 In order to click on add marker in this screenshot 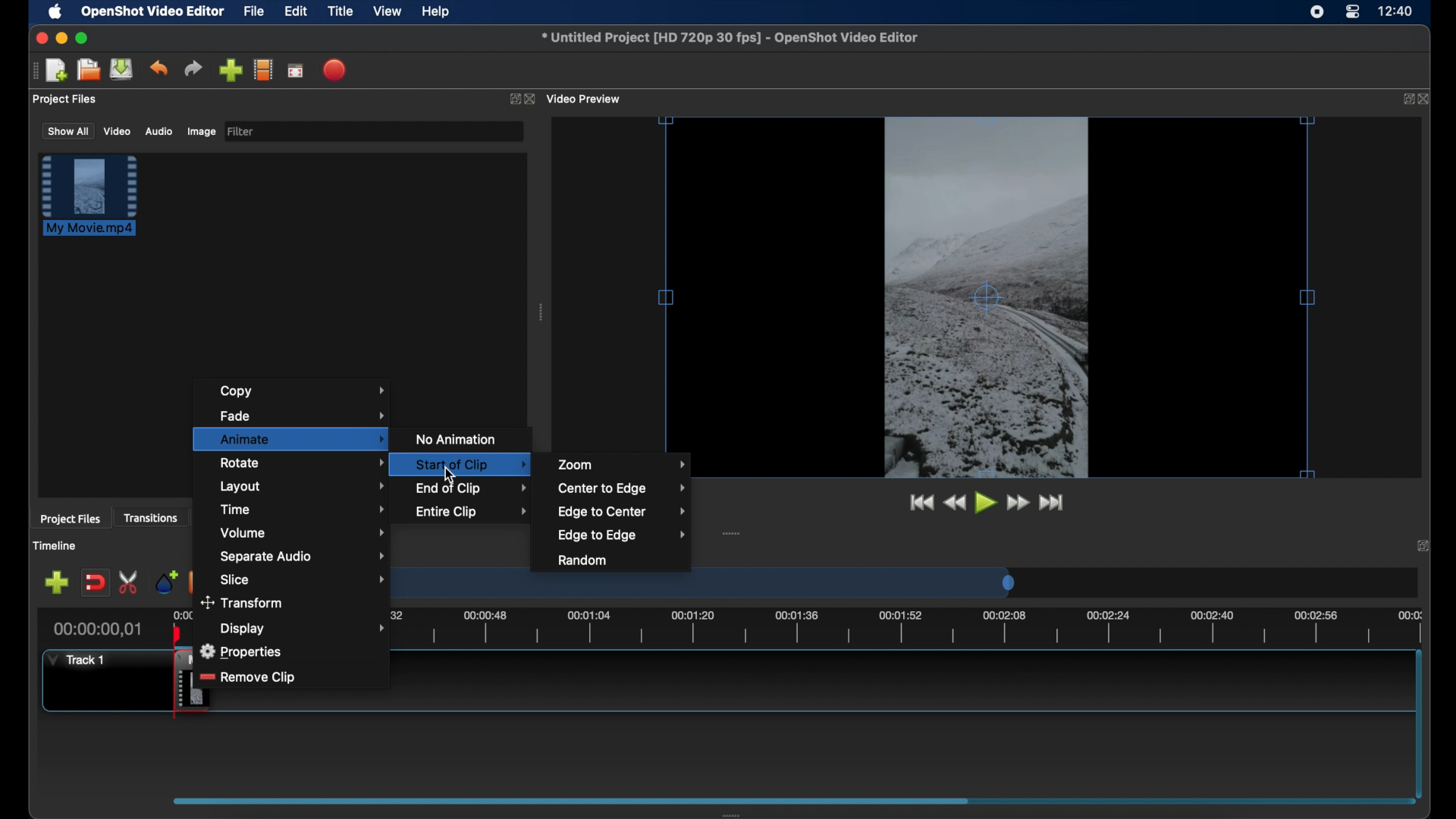, I will do `click(165, 581)`.